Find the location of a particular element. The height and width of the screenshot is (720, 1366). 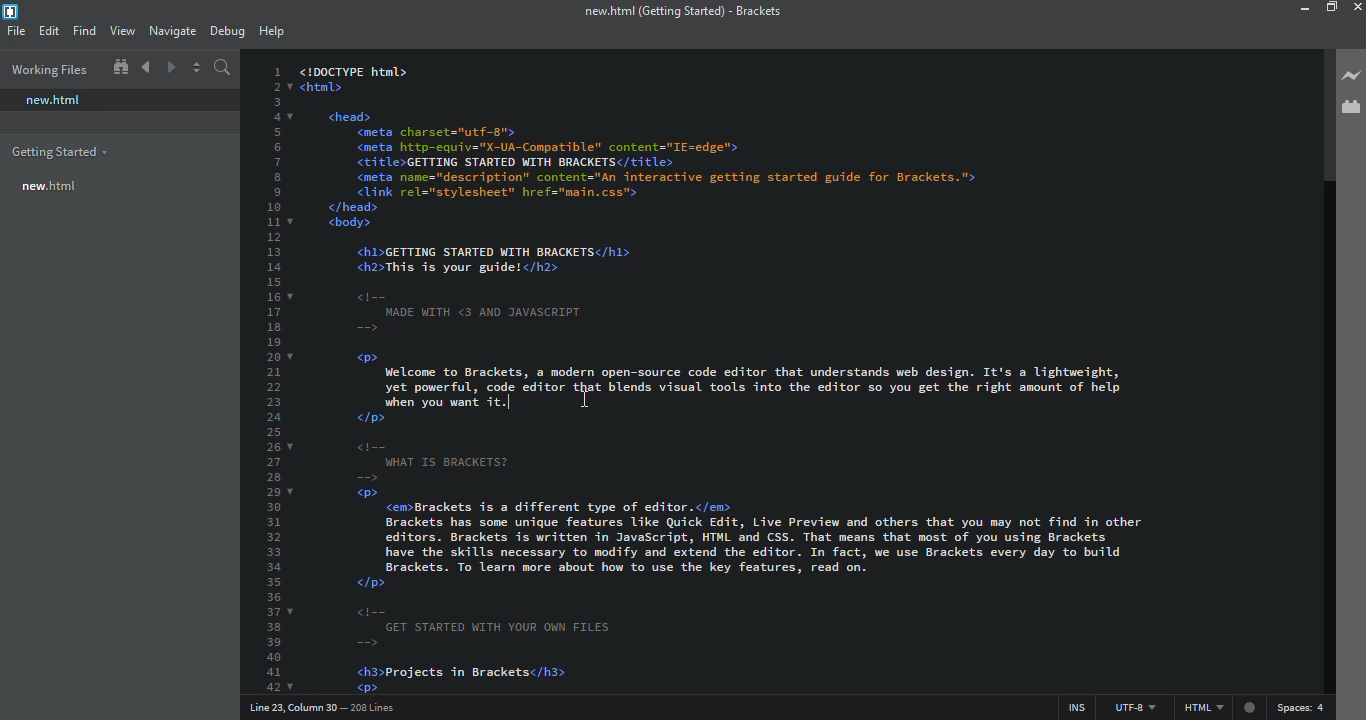

show in file tree is located at coordinates (121, 66).